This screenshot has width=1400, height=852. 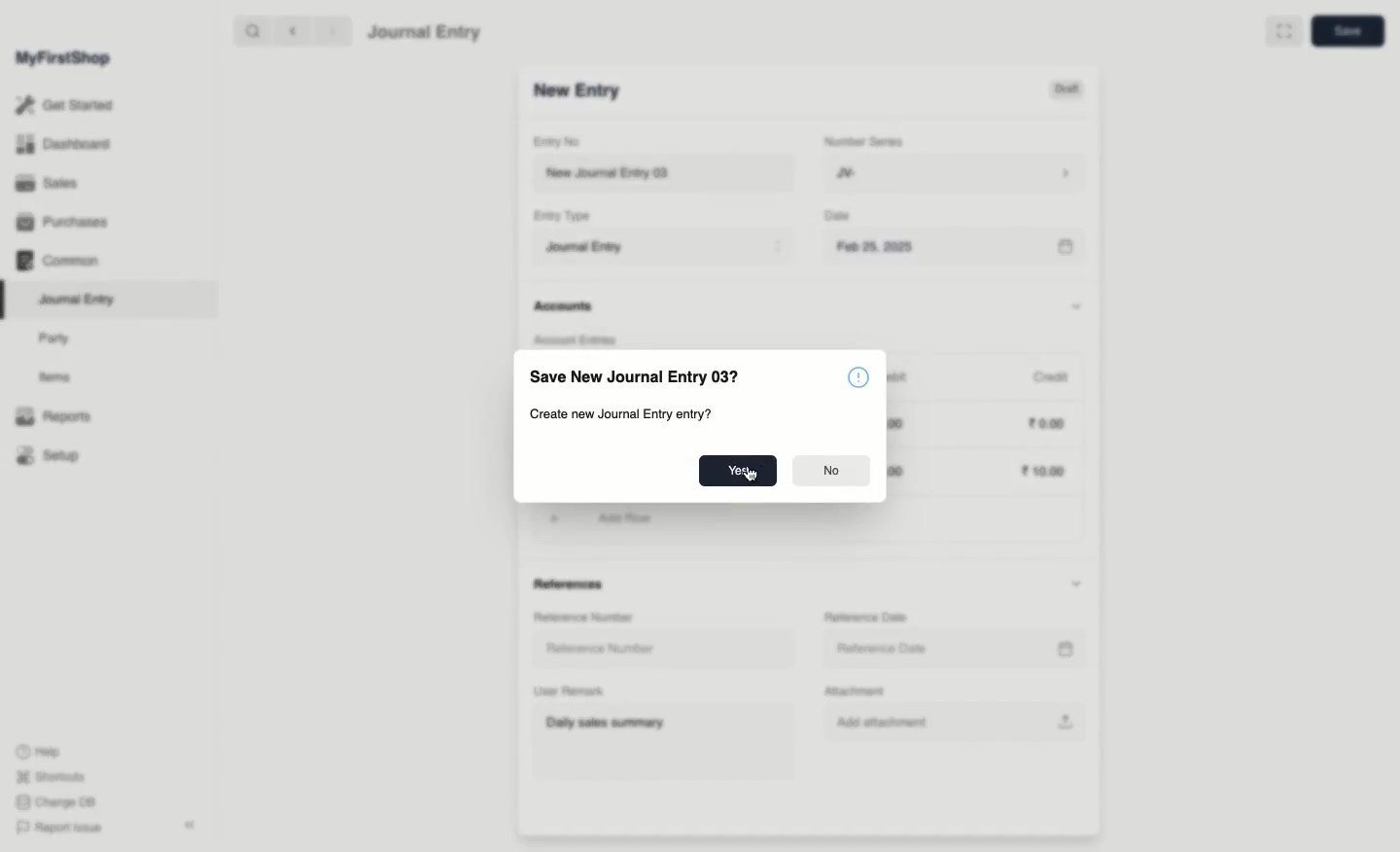 I want to click on Party, so click(x=55, y=337).